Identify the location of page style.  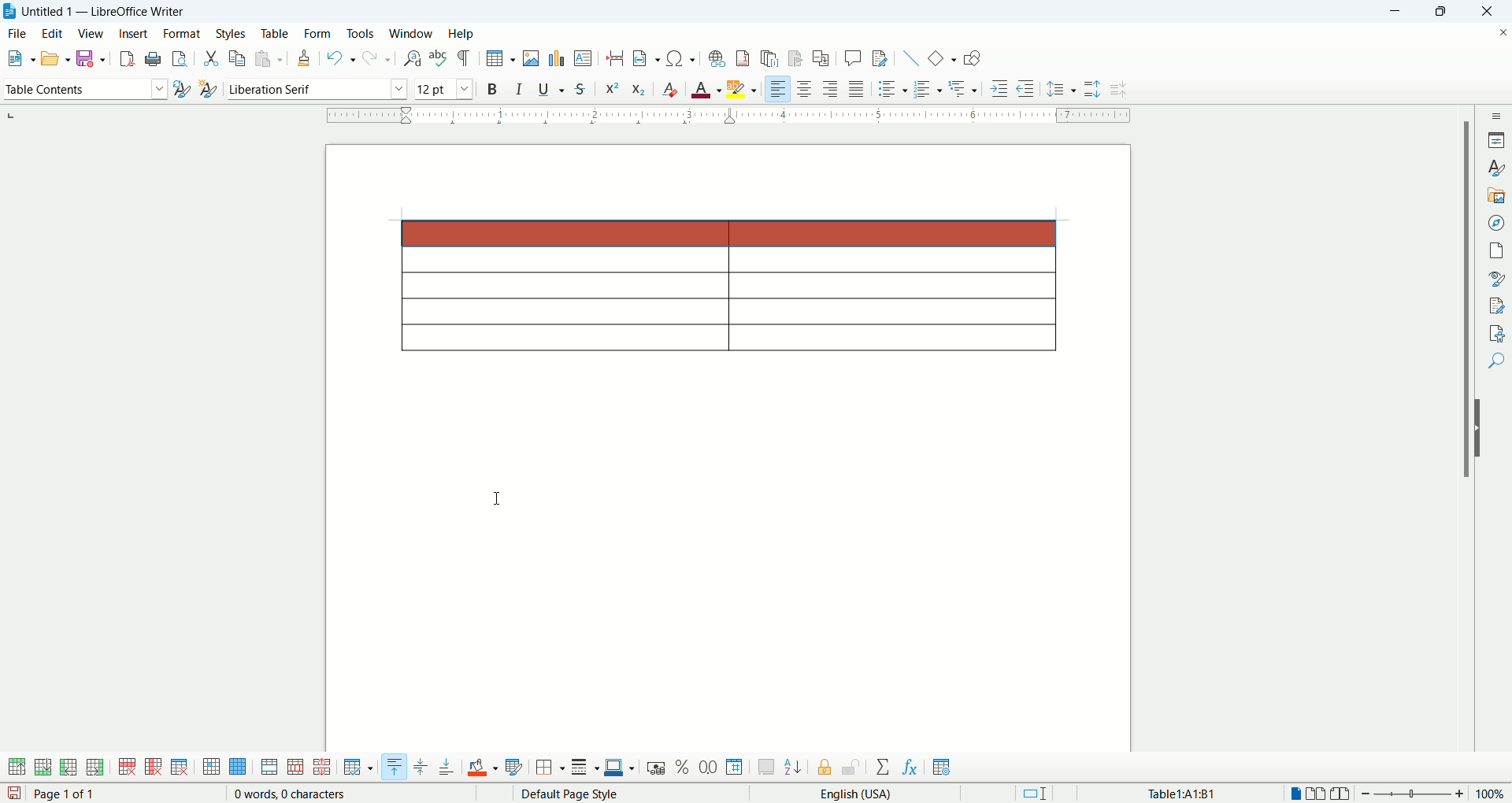
(611, 794).